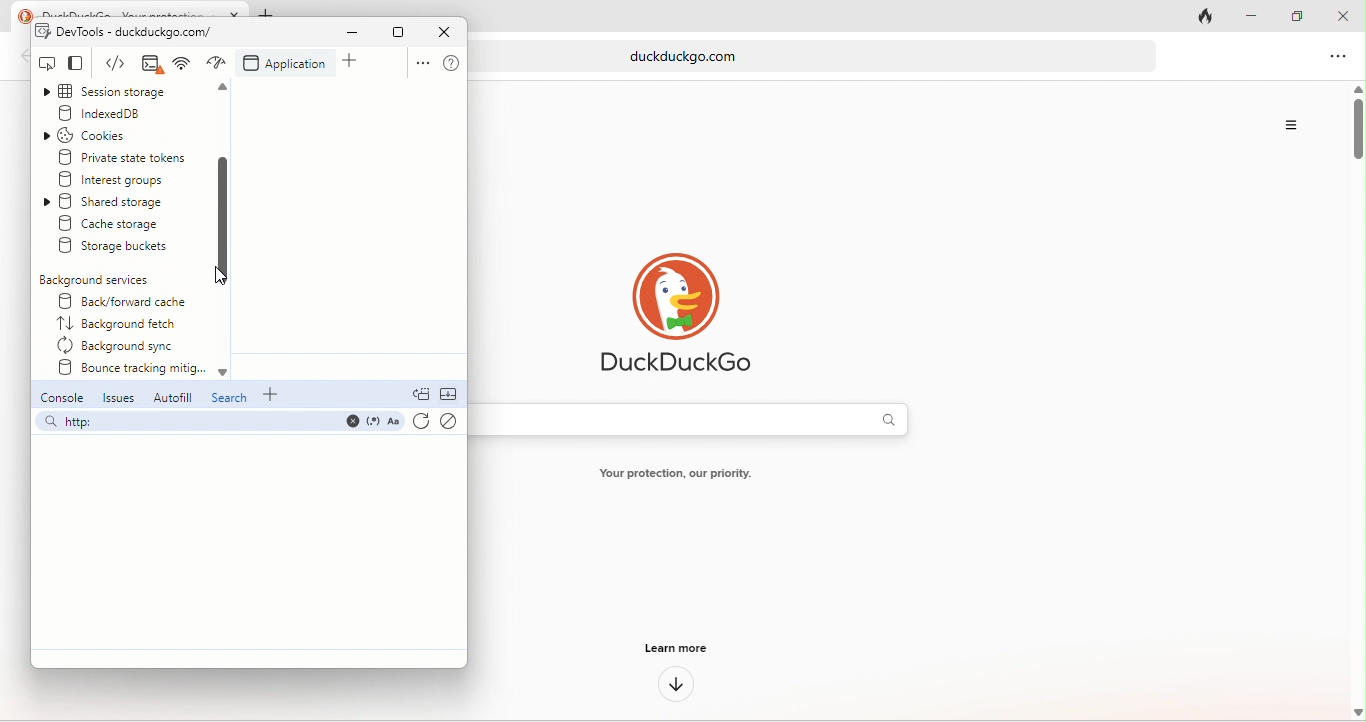 Image resolution: width=1366 pixels, height=722 pixels. I want to click on vertical scroll bar, so click(1356, 133).